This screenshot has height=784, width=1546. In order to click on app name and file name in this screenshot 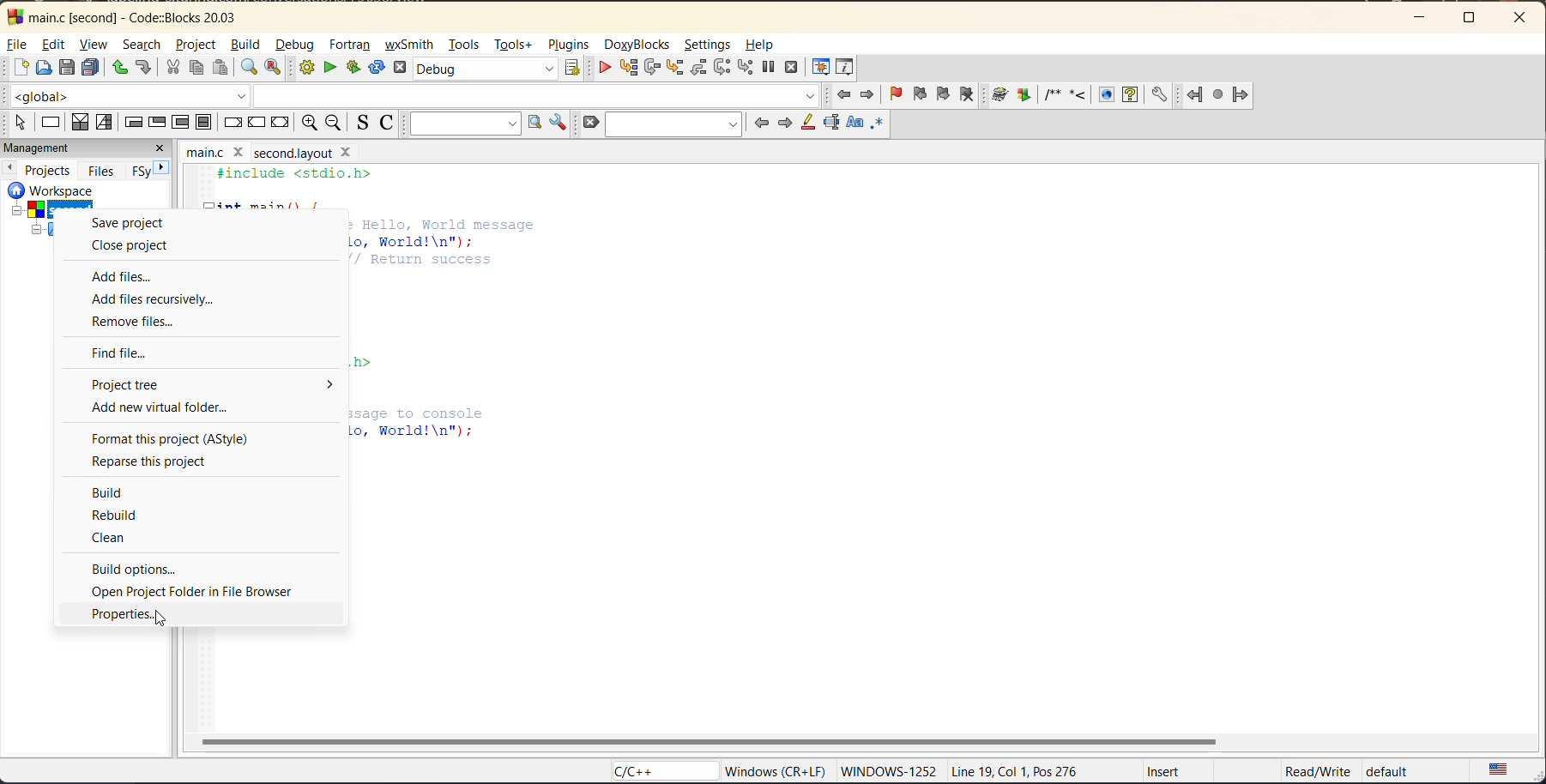, I will do `click(132, 16)`.